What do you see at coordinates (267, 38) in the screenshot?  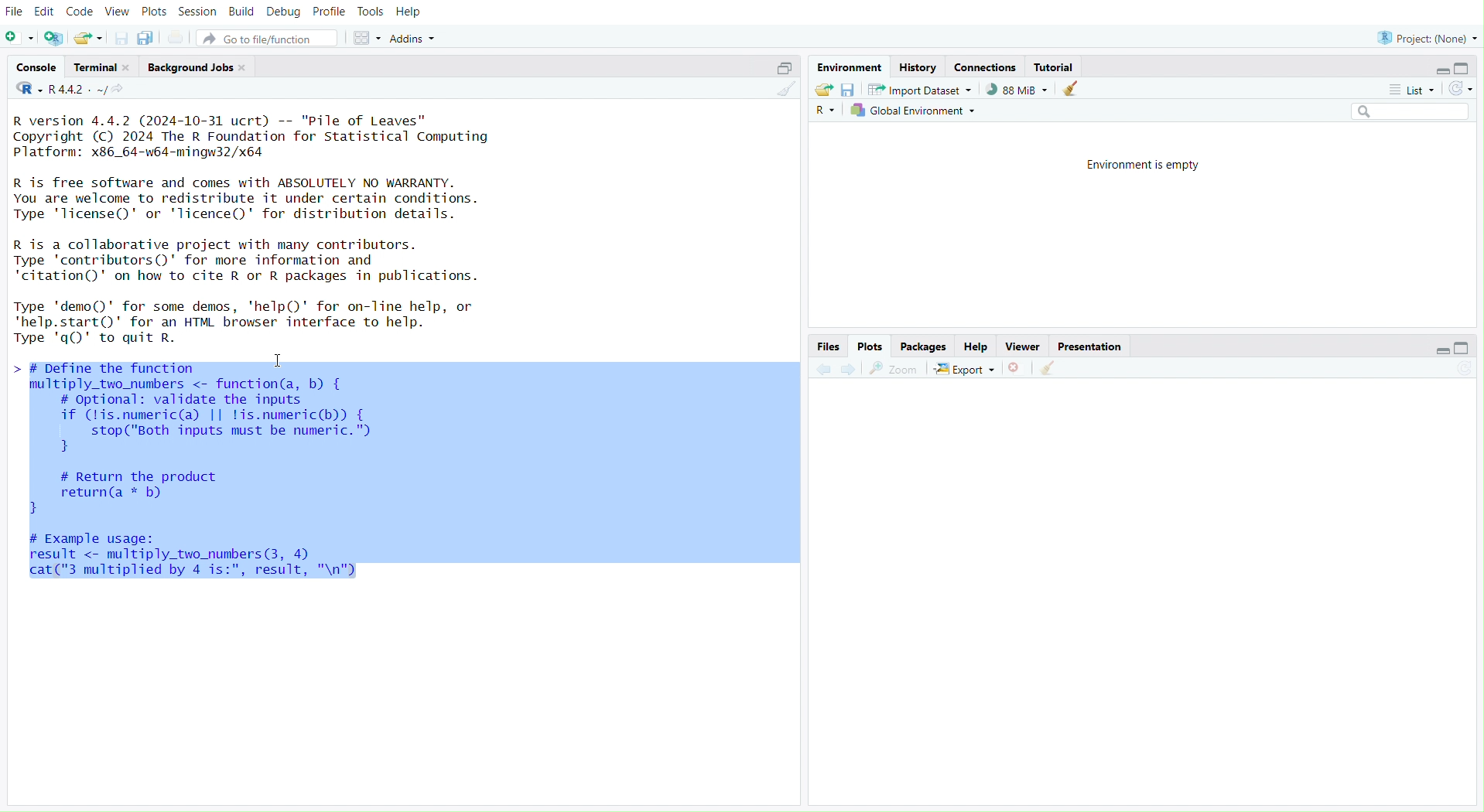 I see `Go to file/function` at bounding box center [267, 38].